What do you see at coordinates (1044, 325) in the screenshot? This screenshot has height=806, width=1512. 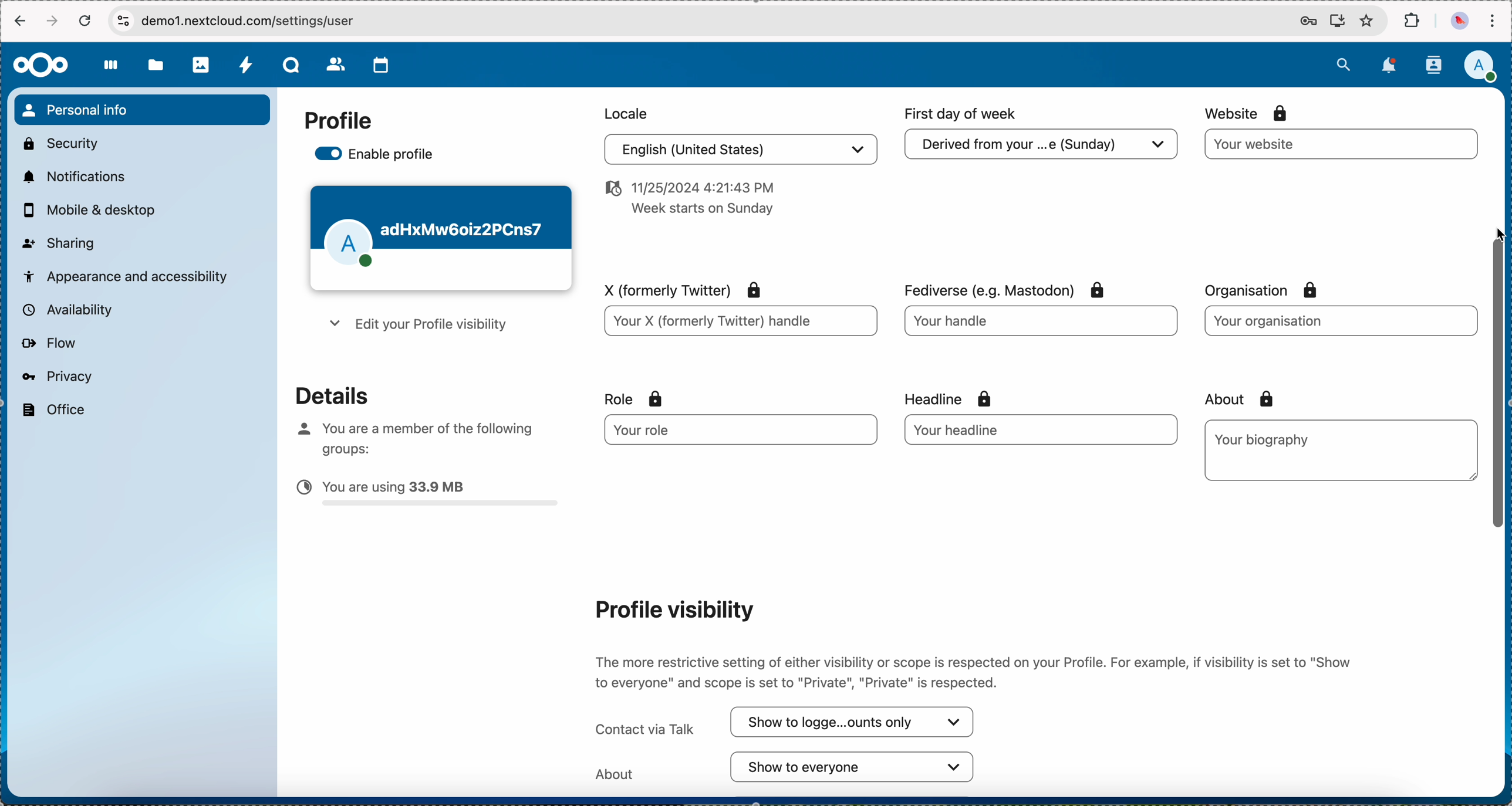 I see `your handle` at bounding box center [1044, 325].